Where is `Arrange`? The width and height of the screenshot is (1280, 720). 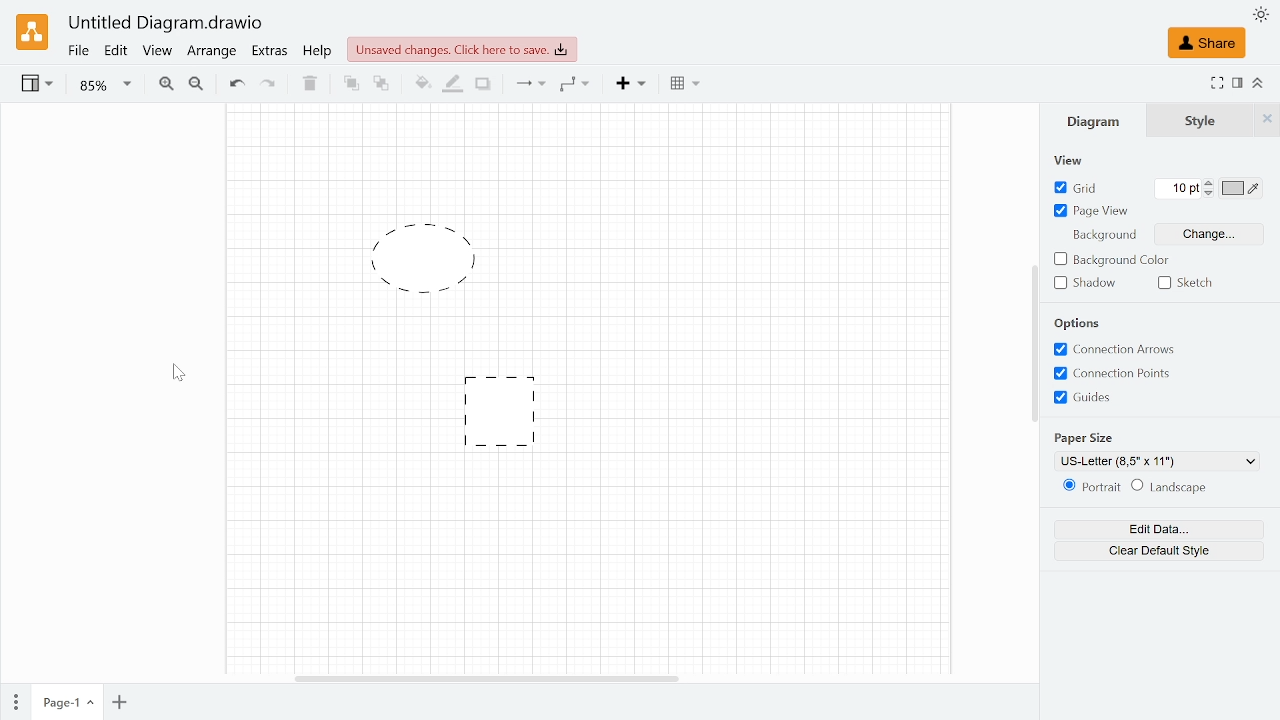 Arrange is located at coordinates (212, 54).